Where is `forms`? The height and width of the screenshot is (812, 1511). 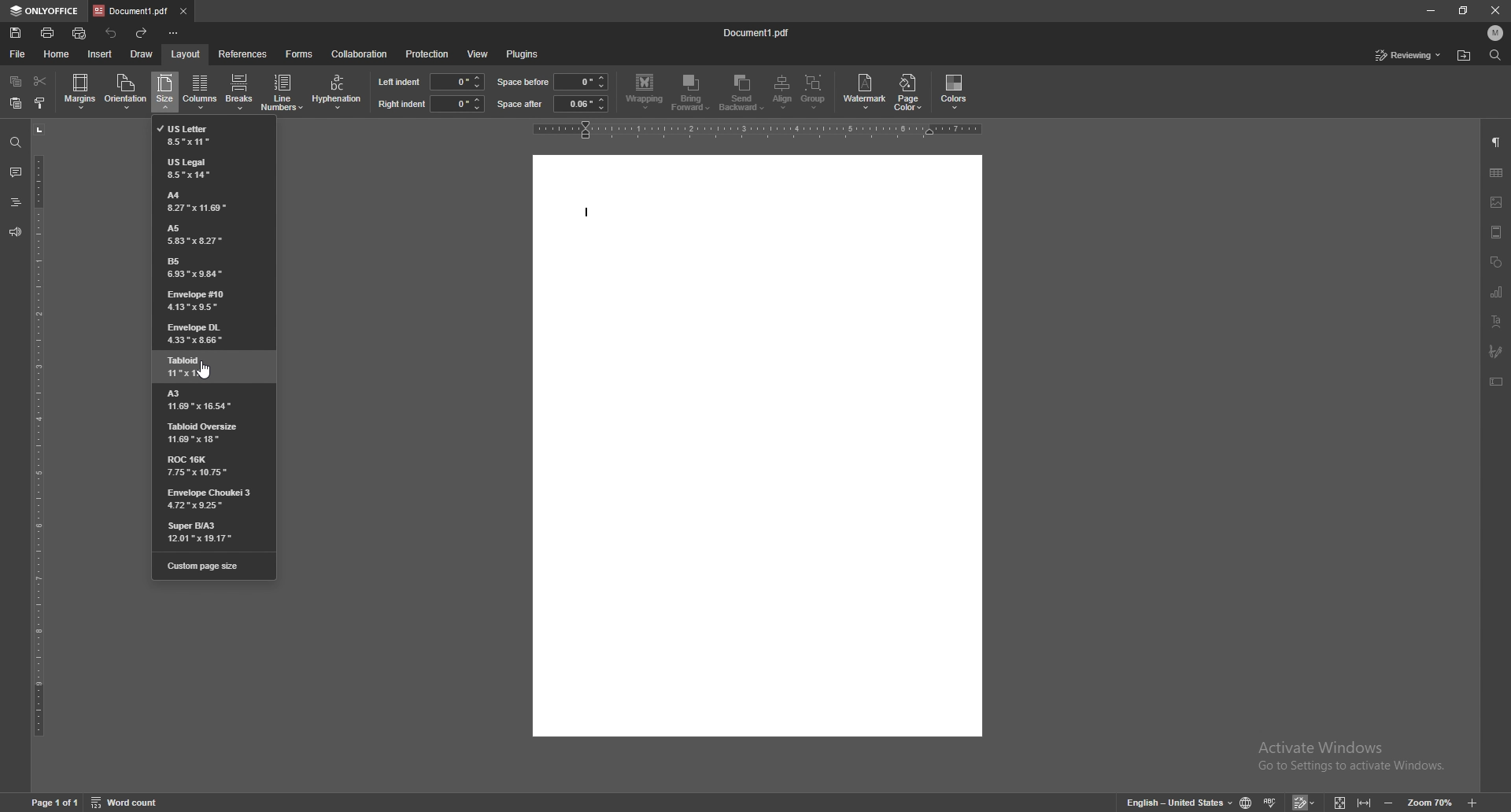
forms is located at coordinates (300, 54).